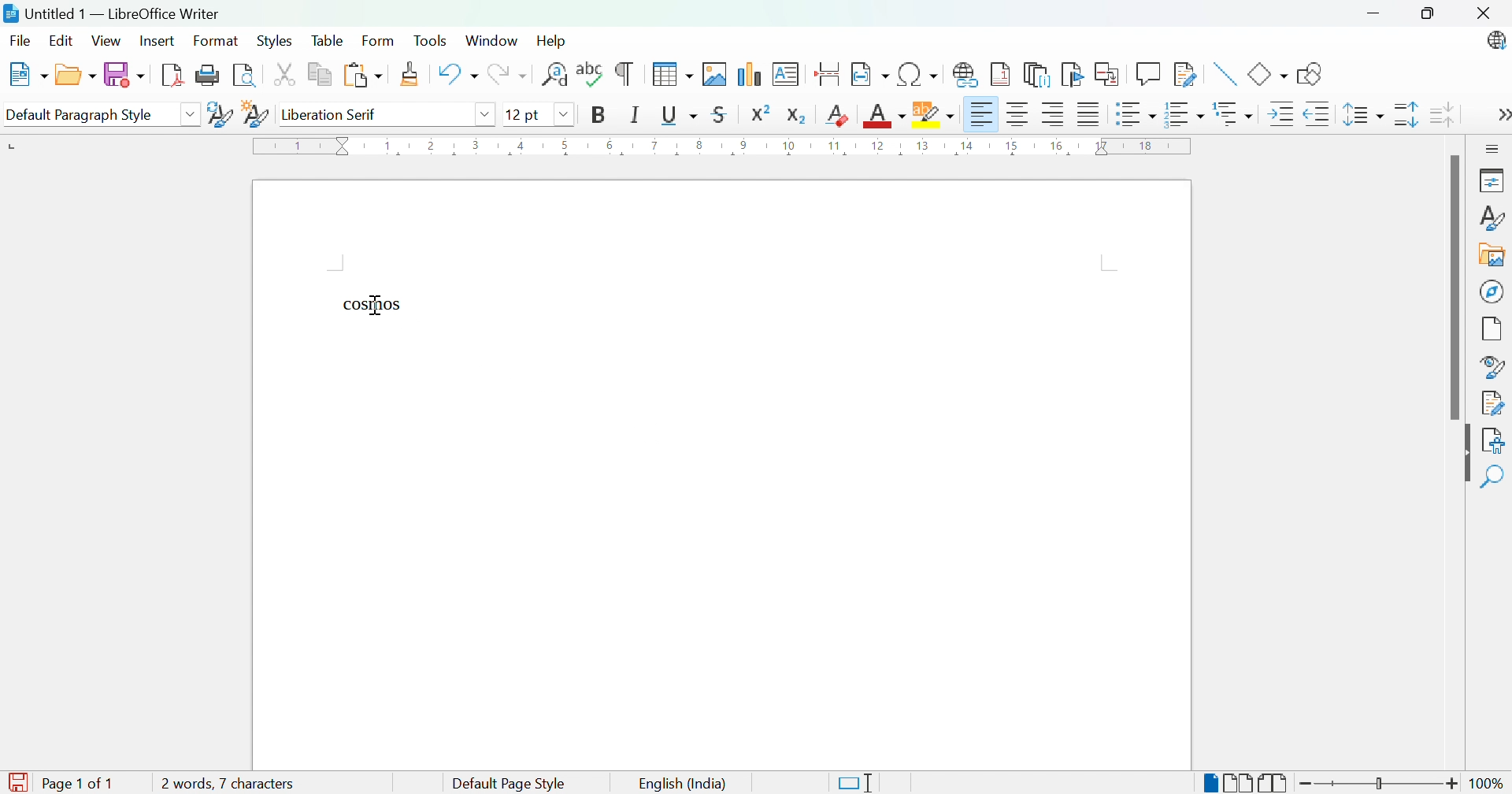 Image resolution: width=1512 pixels, height=794 pixels. I want to click on Superscript, so click(761, 113).